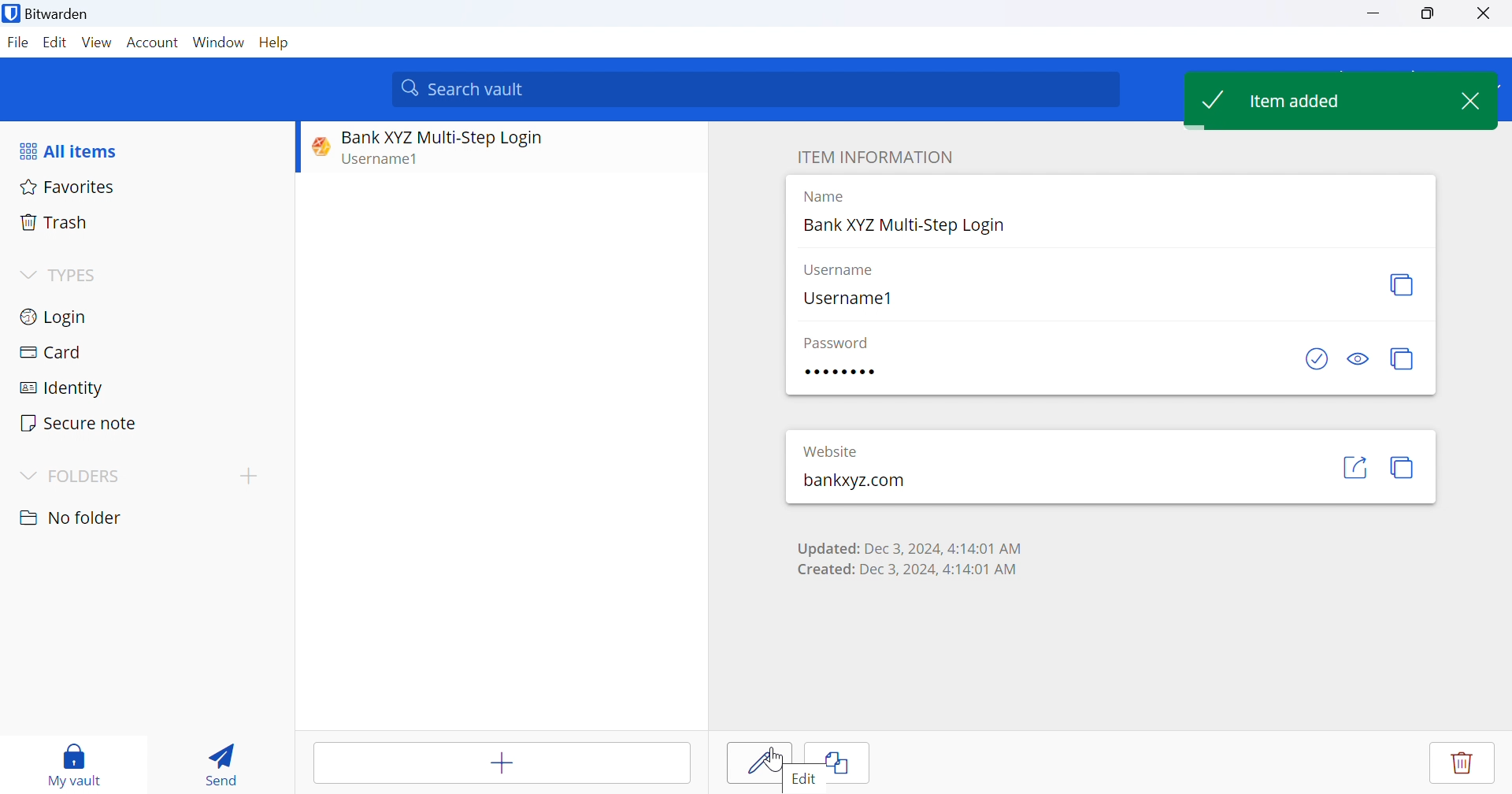  I want to click on Copy URI, so click(1403, 469).